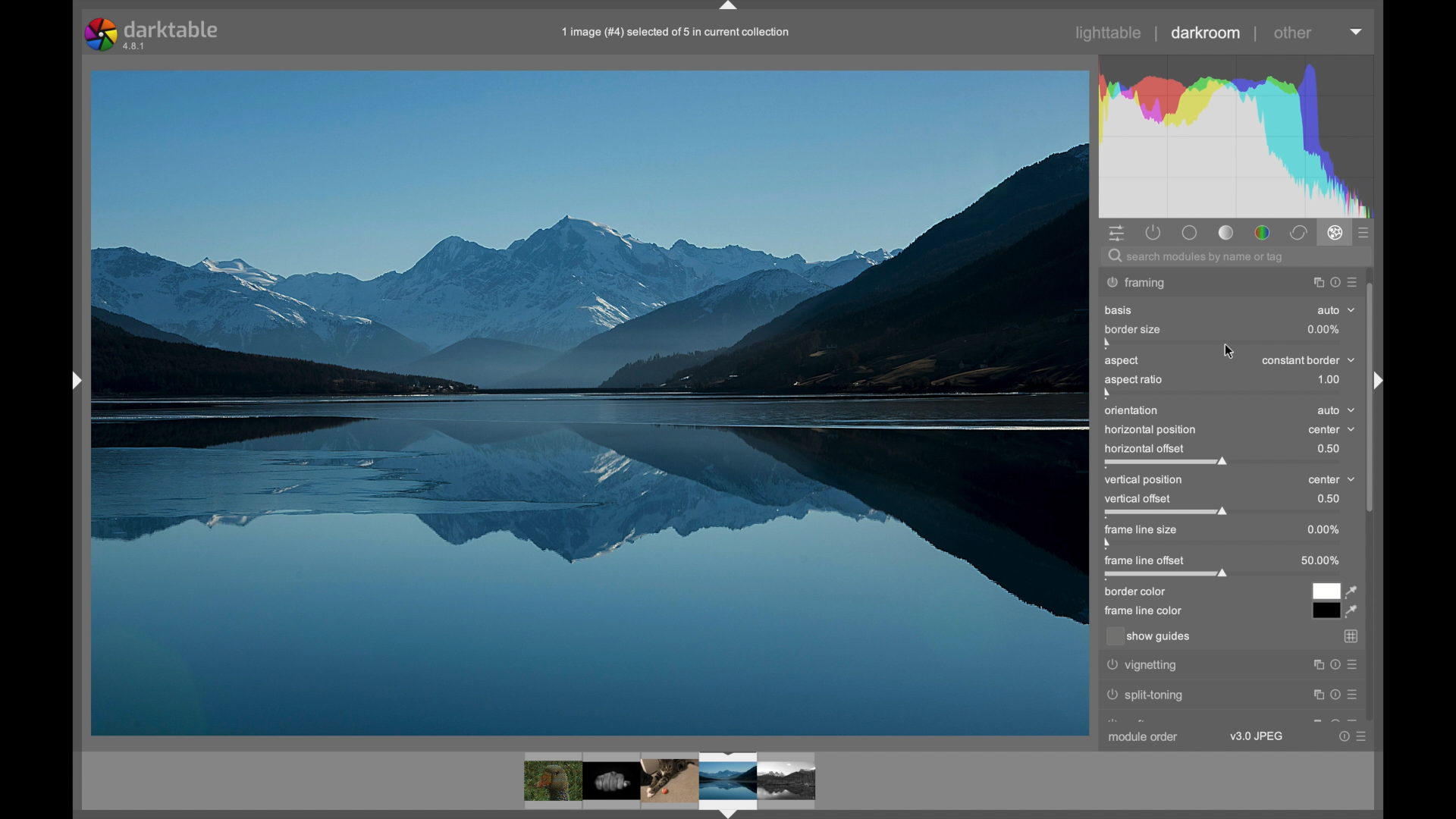 The height and width of the screenshot is (819, 1456). What do you see at coordinates (1150, 637) in the screenshot?
I see `show guides` at bounding box center [1150, 637].